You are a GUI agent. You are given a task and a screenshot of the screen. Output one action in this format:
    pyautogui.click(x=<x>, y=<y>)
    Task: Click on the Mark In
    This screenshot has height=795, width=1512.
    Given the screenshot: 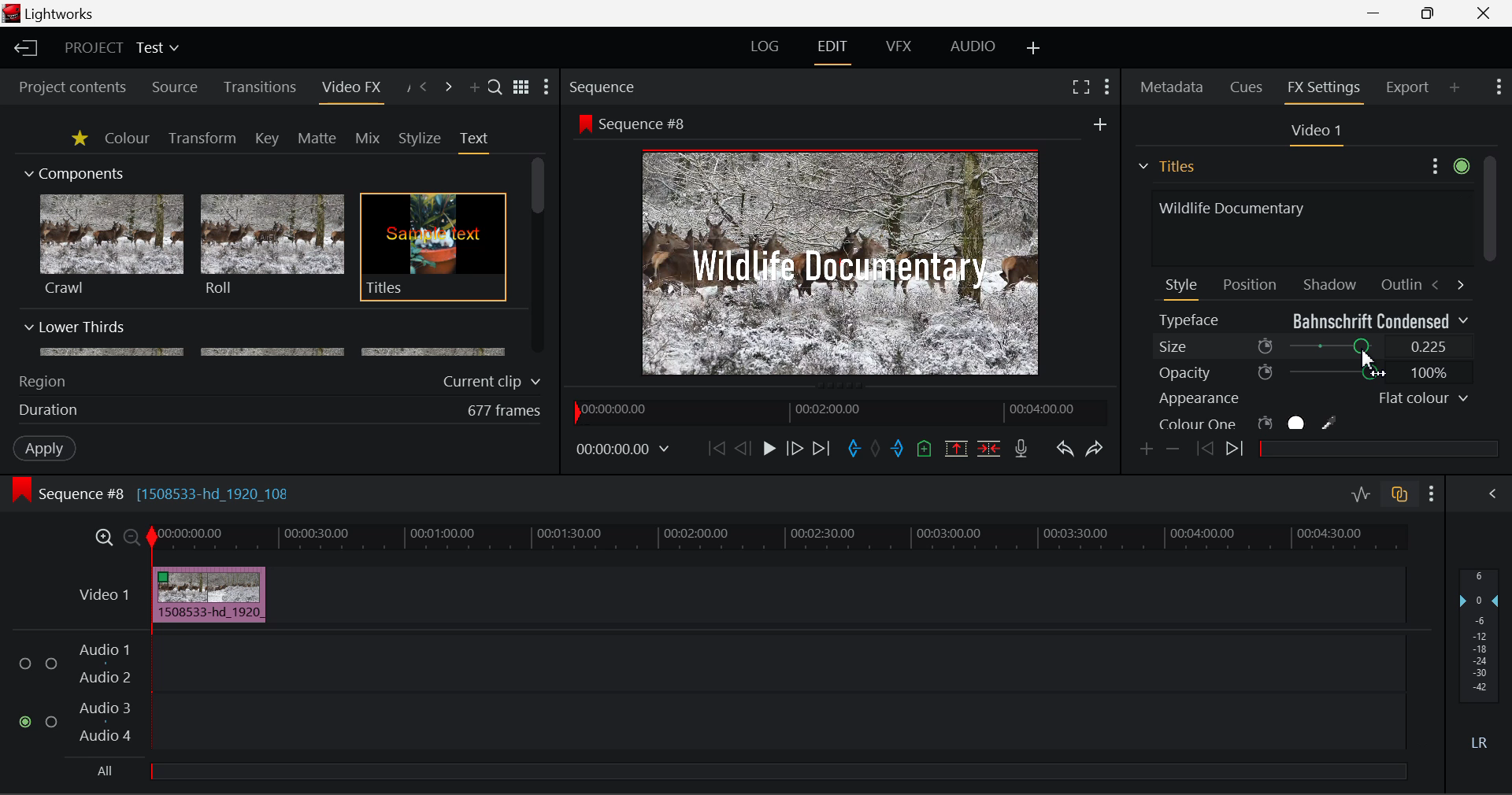 What is the action you would take?
    pyautogui.click(x=854, y=451)
    